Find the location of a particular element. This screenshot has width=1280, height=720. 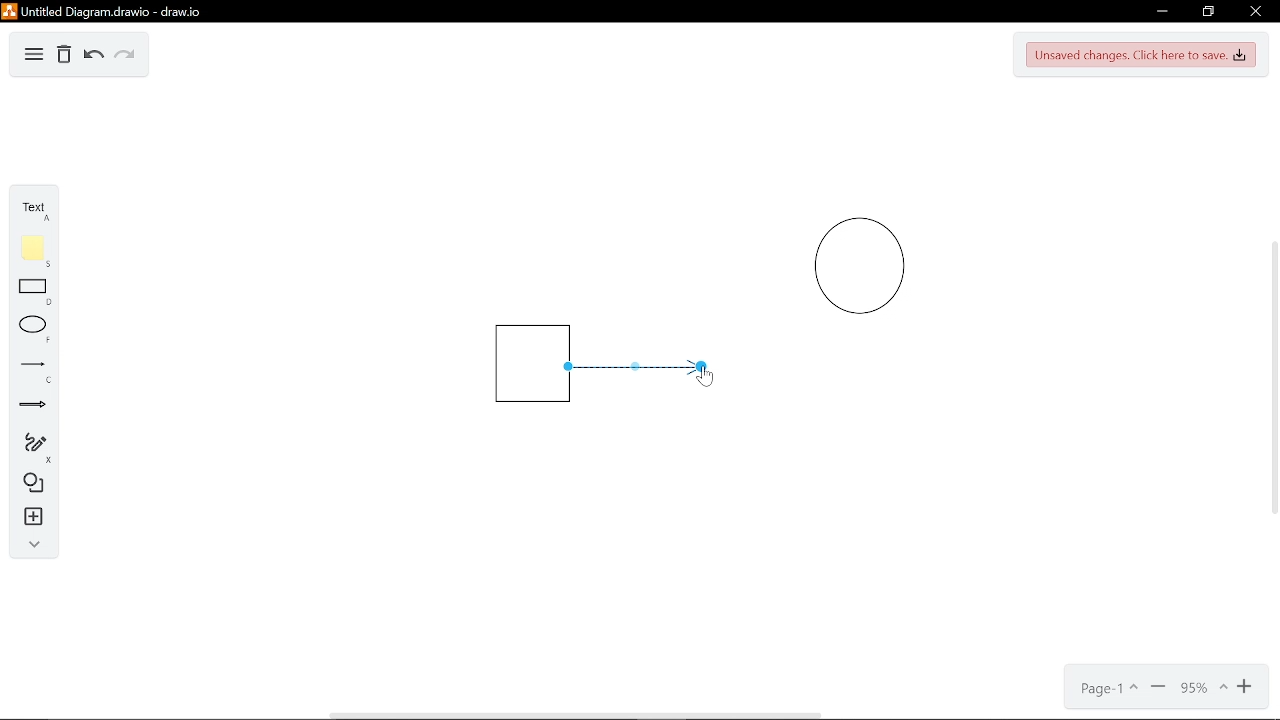

Rectangle is located at coordinates (29, 292).